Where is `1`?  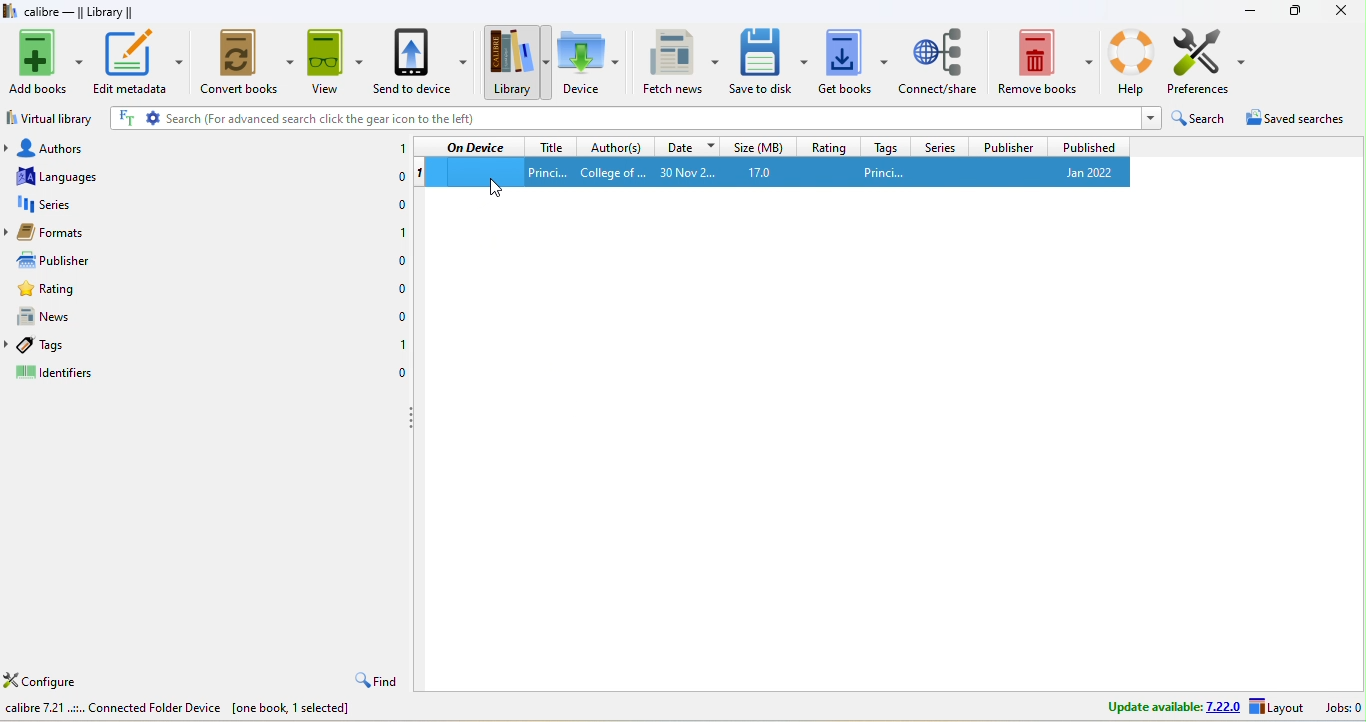
1 is located at coordinates (399, 149).